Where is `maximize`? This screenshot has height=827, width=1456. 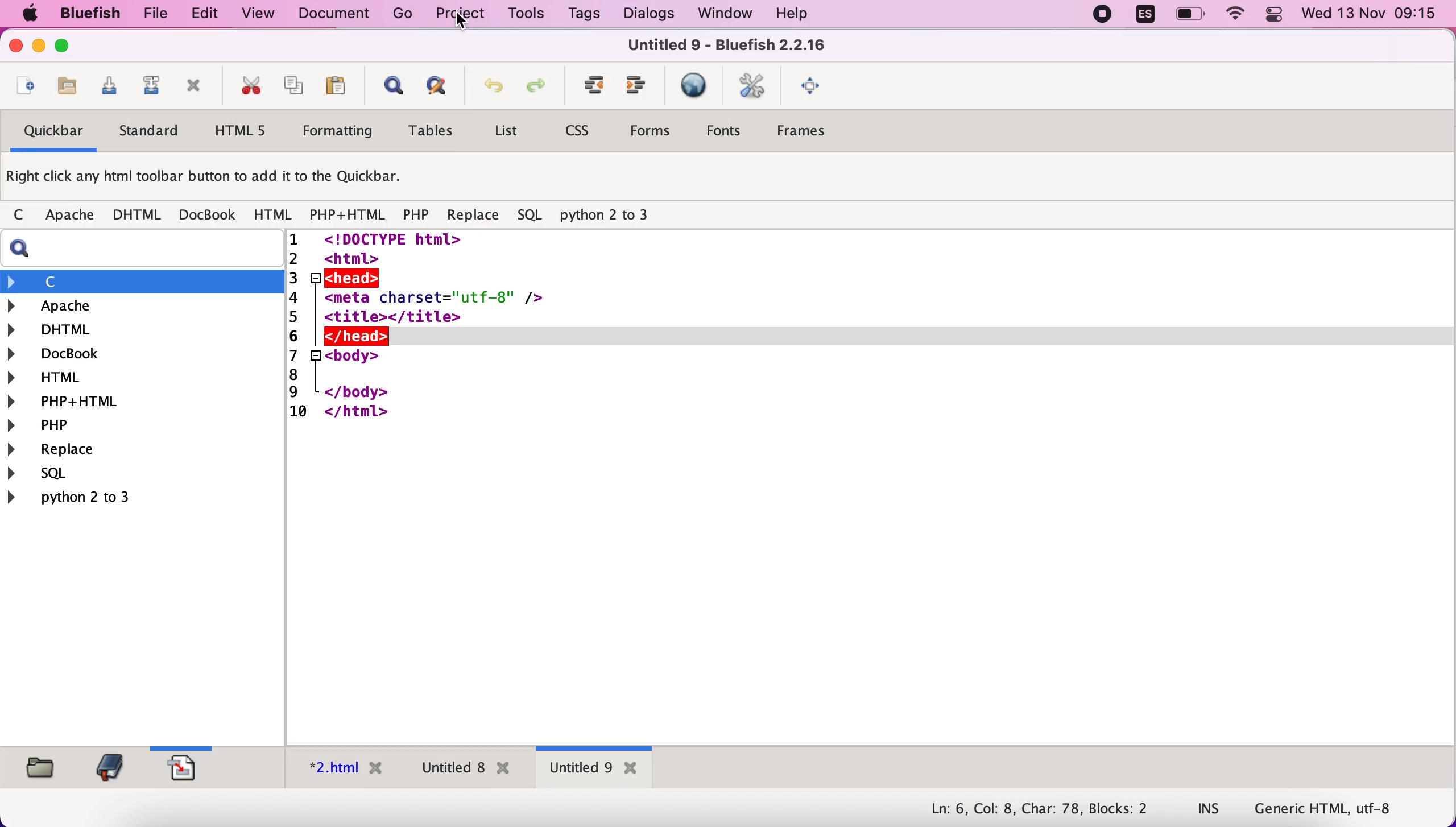
maximize is located at coordinates (63, 48).